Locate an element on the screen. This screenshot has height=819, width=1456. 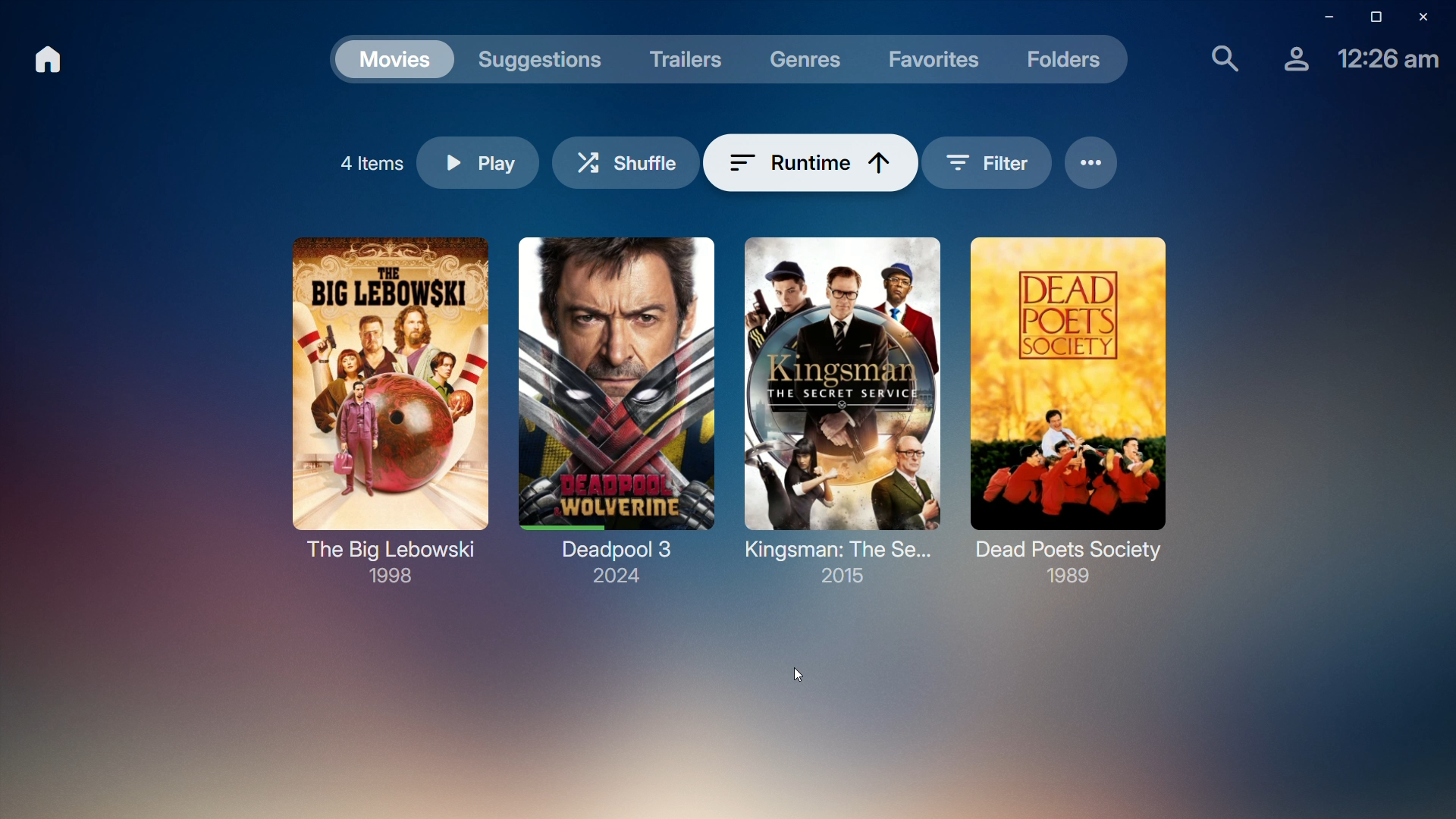
Dead Poets Society is located at coordinates (382, 406).